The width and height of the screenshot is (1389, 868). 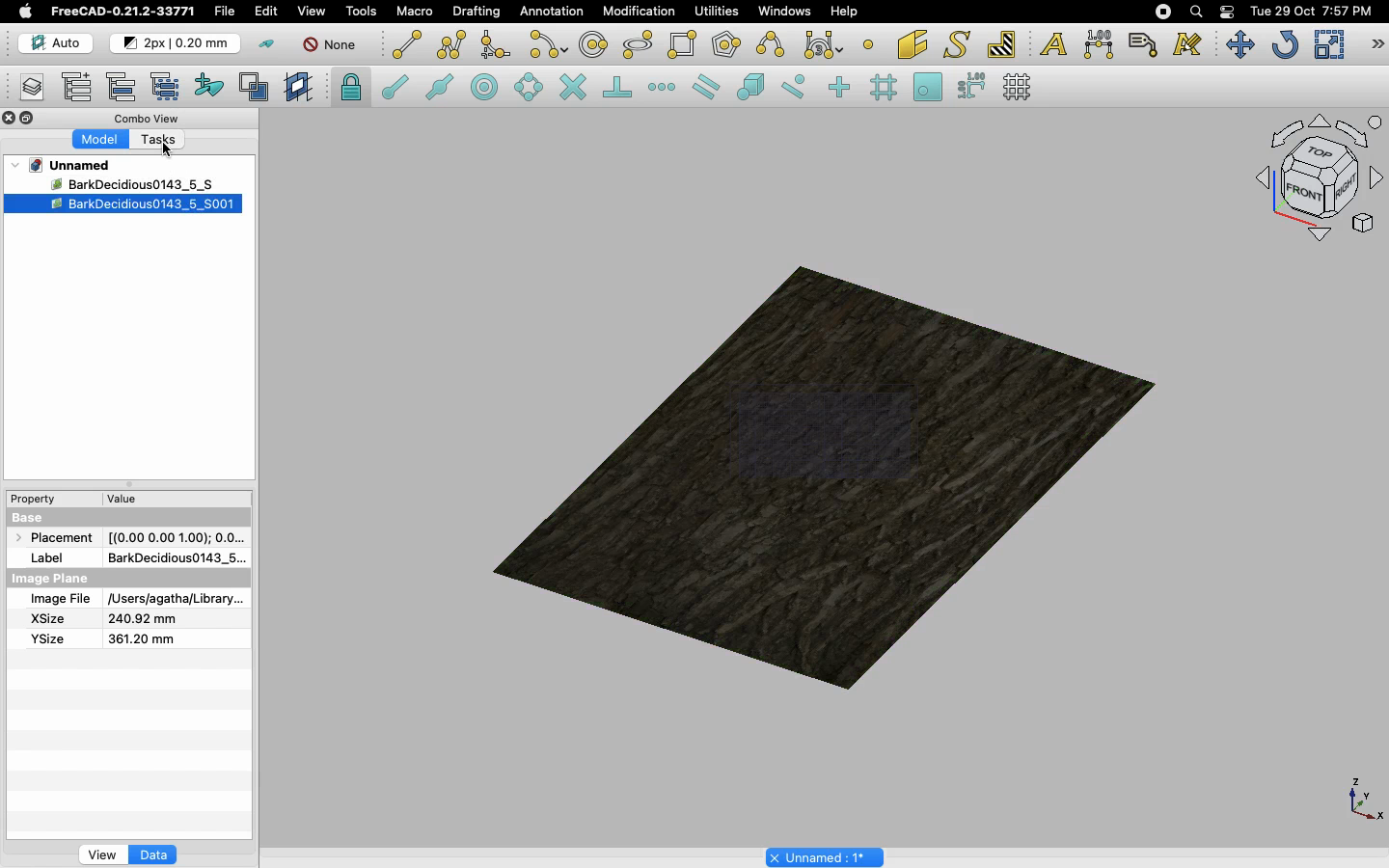 What do you see at coordinates (827, 855) in the screenshot?
I see `Project name` at bounding box center [827, 855].